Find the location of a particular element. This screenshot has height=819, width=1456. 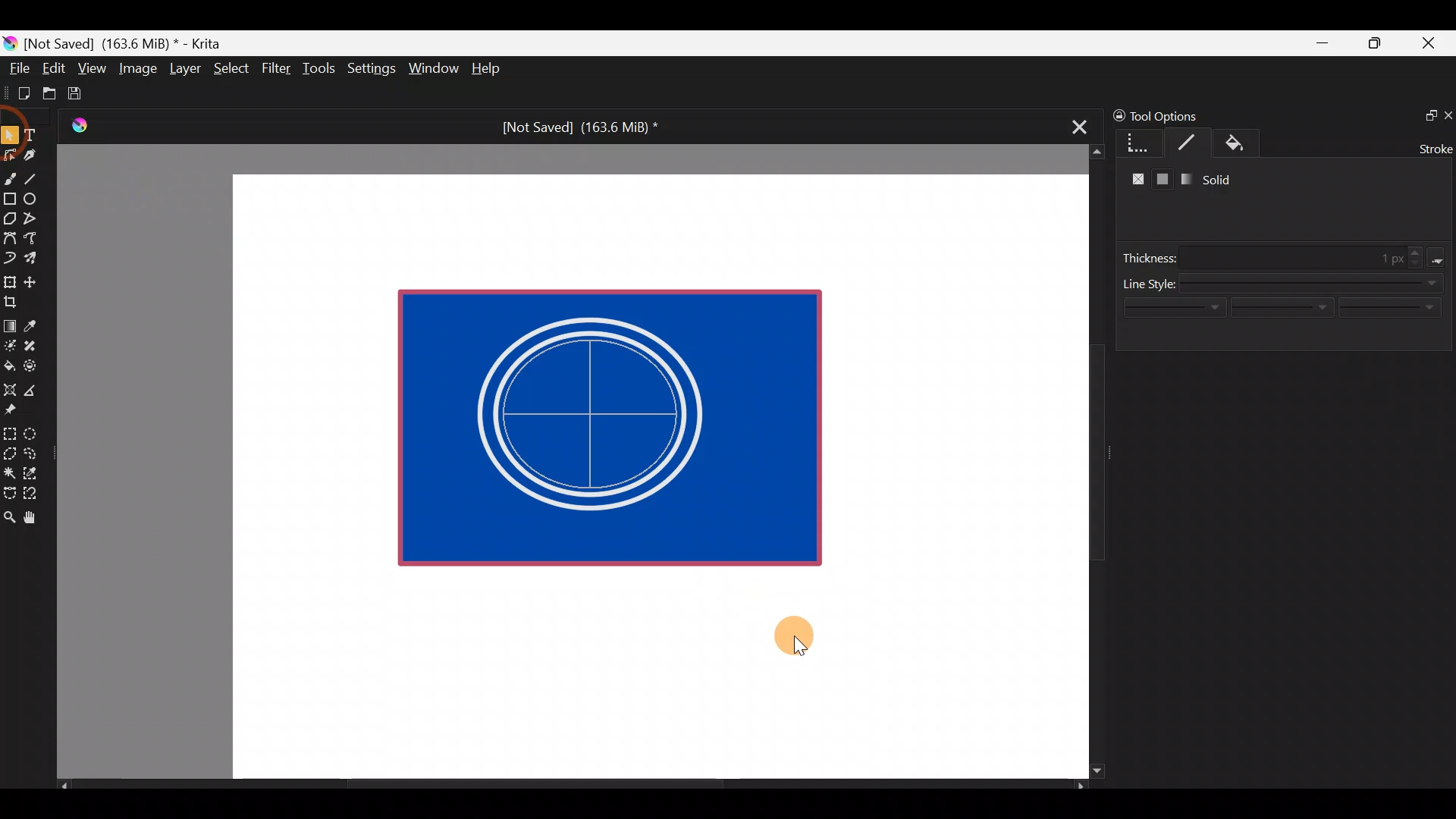

Move a layer is located at coordinates (35, 280).